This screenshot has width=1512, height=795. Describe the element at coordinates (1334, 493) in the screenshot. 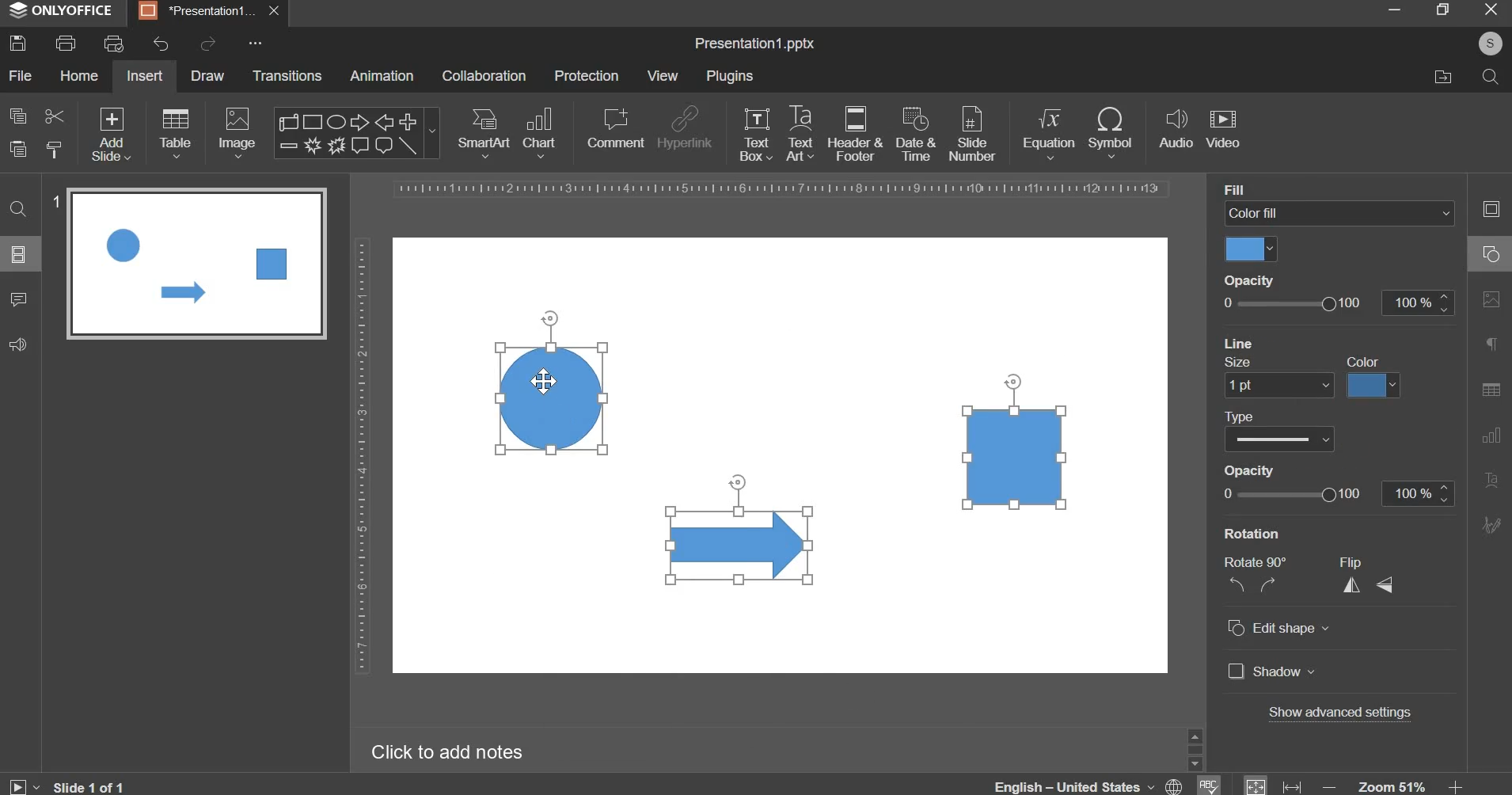

I see `opacity` at that location.